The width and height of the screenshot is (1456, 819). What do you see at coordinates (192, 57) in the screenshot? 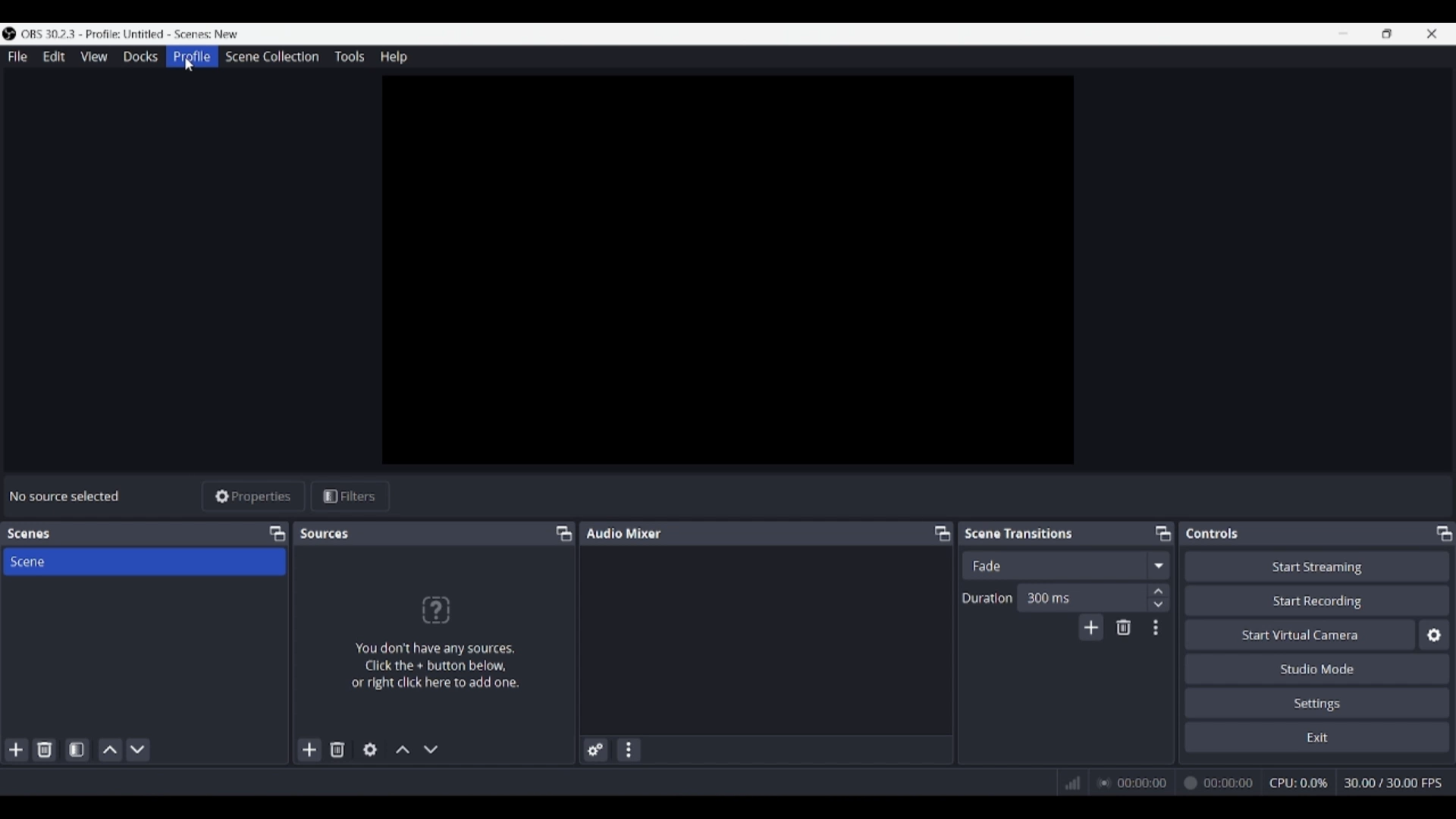
I see `Profile menu, highlighted by cursor` at bounding box center [192, 57].